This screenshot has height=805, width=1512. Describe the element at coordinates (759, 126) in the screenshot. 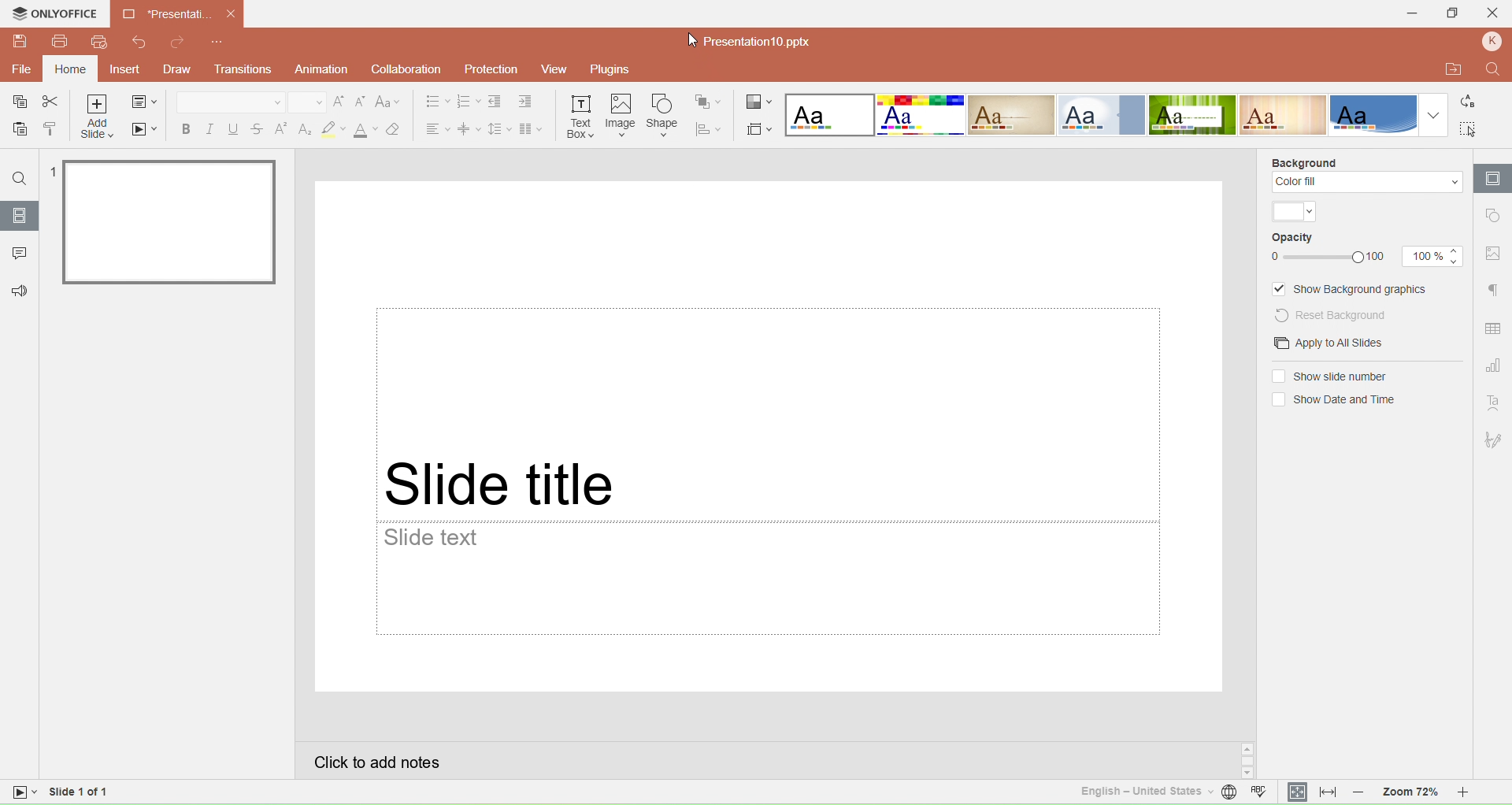

I see `Select slide size` at that location.